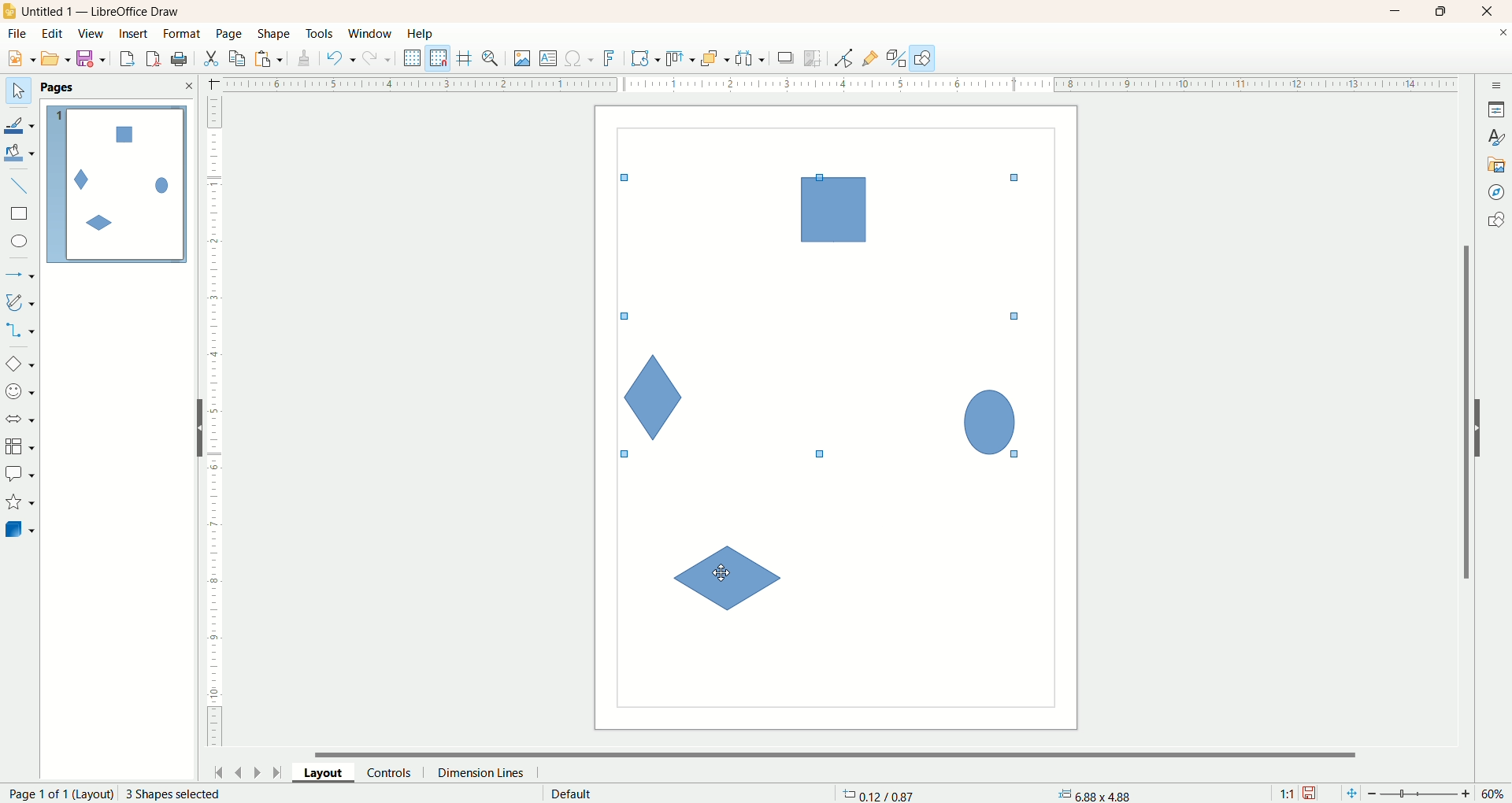  What do you see at coordinates (18, 59) in the screenshot?
I see `new` at bounding box center [18, 59].